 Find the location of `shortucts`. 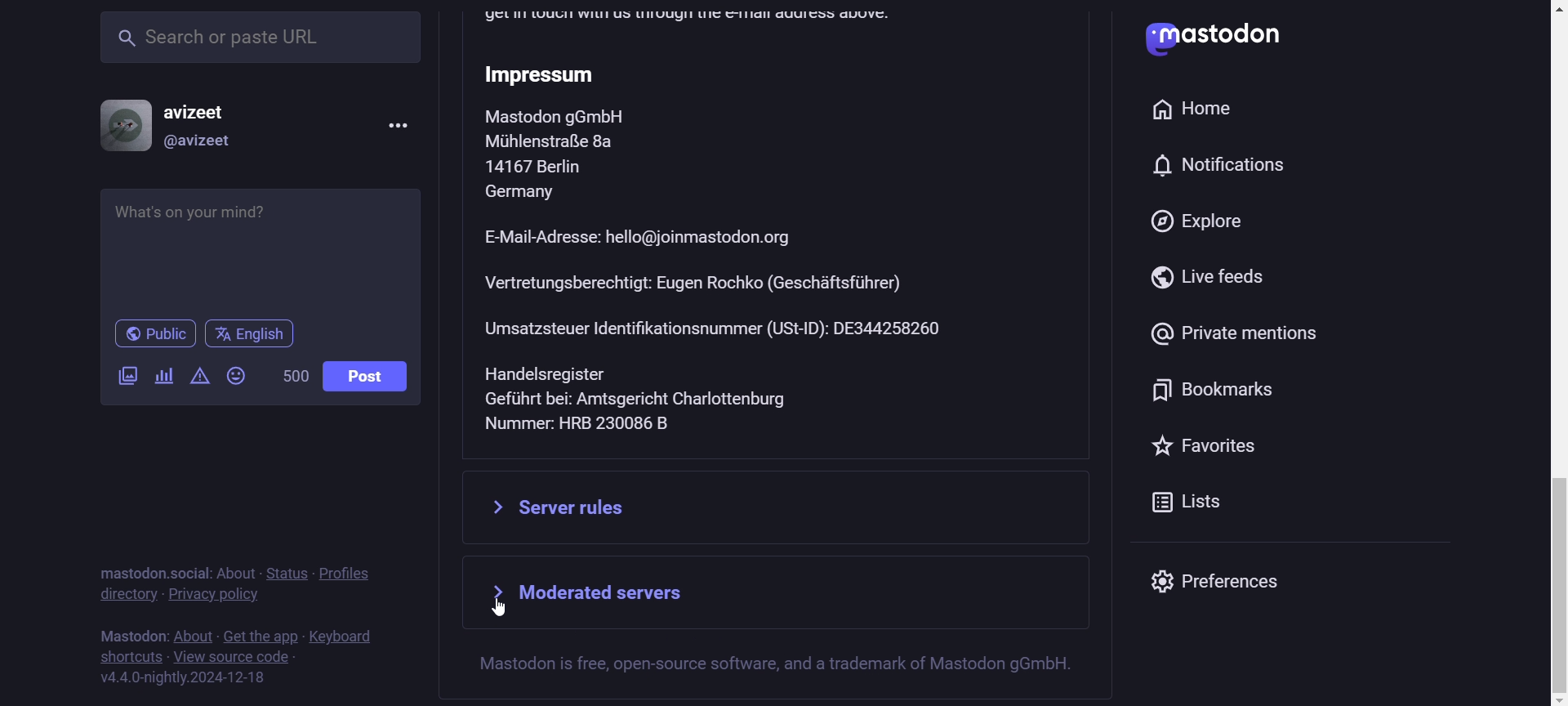

shortucts is located at coordinates (130, 656).